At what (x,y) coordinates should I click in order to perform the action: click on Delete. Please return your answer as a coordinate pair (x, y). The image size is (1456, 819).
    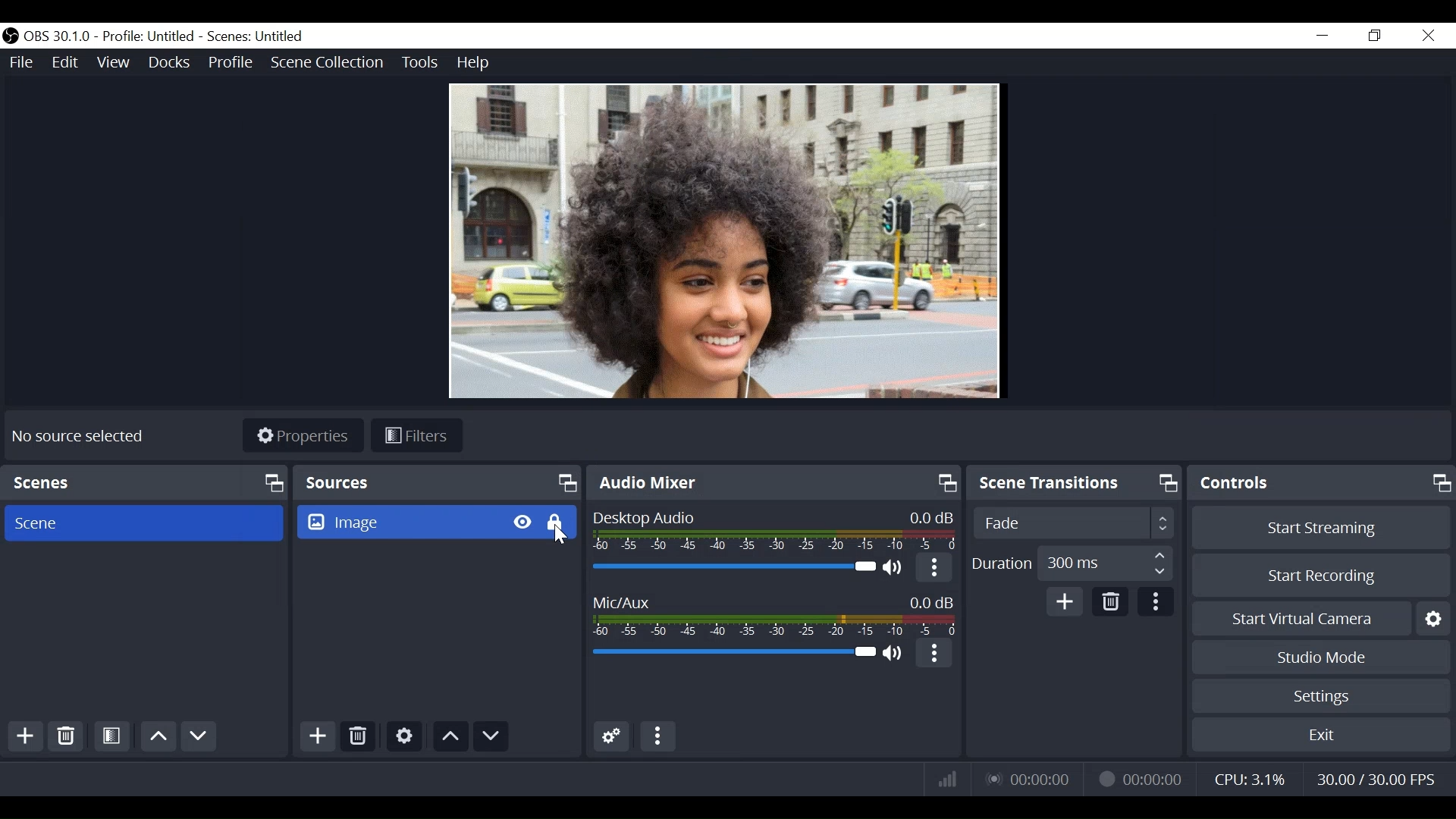
    Looking at the image, I should click on (67, 738).